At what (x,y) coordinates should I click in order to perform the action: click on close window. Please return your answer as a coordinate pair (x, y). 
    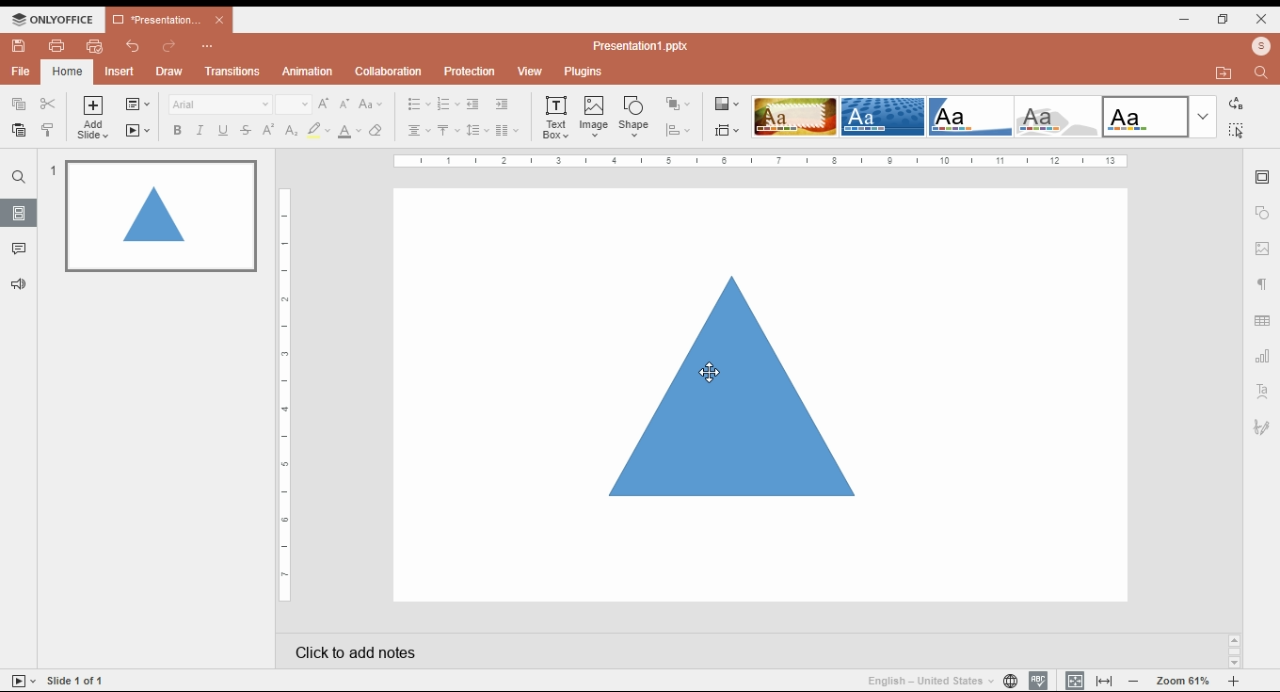
    Looking at the image, I should click on (1262, 20).